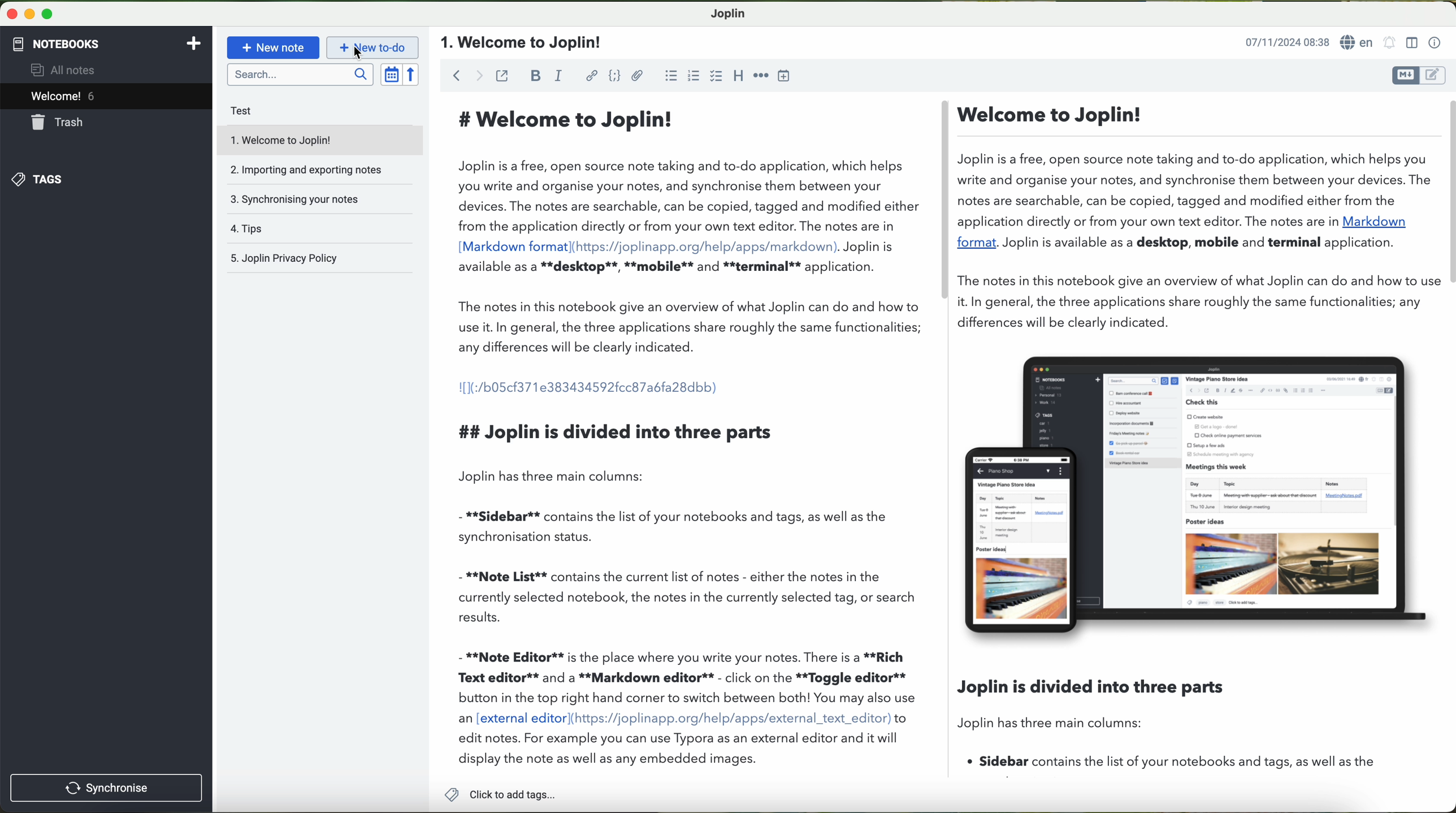  Describe the element at coordinates (1288, 42) in the screenshot. I see `date and hour` at that location.